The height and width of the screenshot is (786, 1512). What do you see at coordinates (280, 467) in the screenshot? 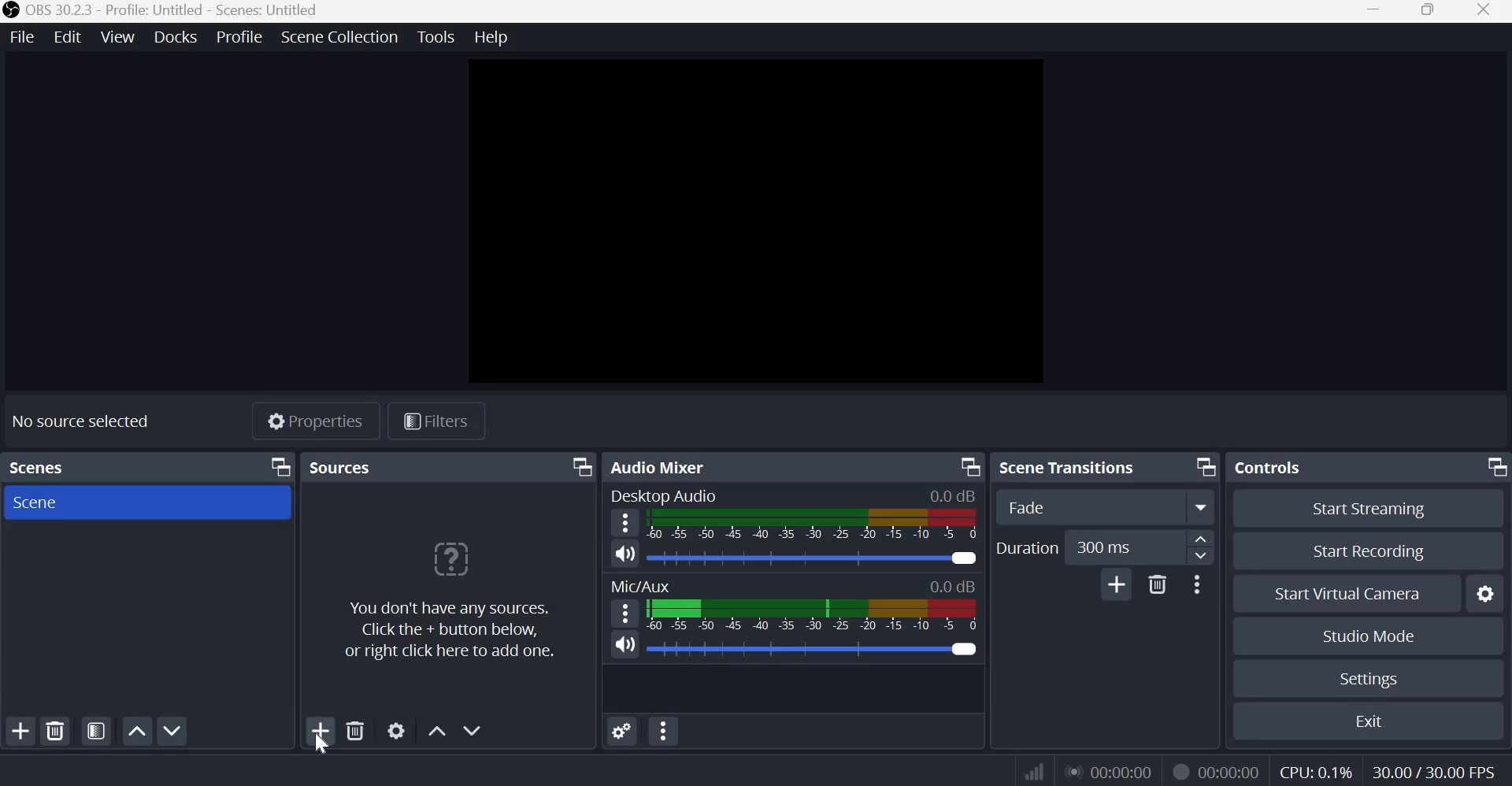
I see ` Dock Options icon` at bounding box center [280, 467].